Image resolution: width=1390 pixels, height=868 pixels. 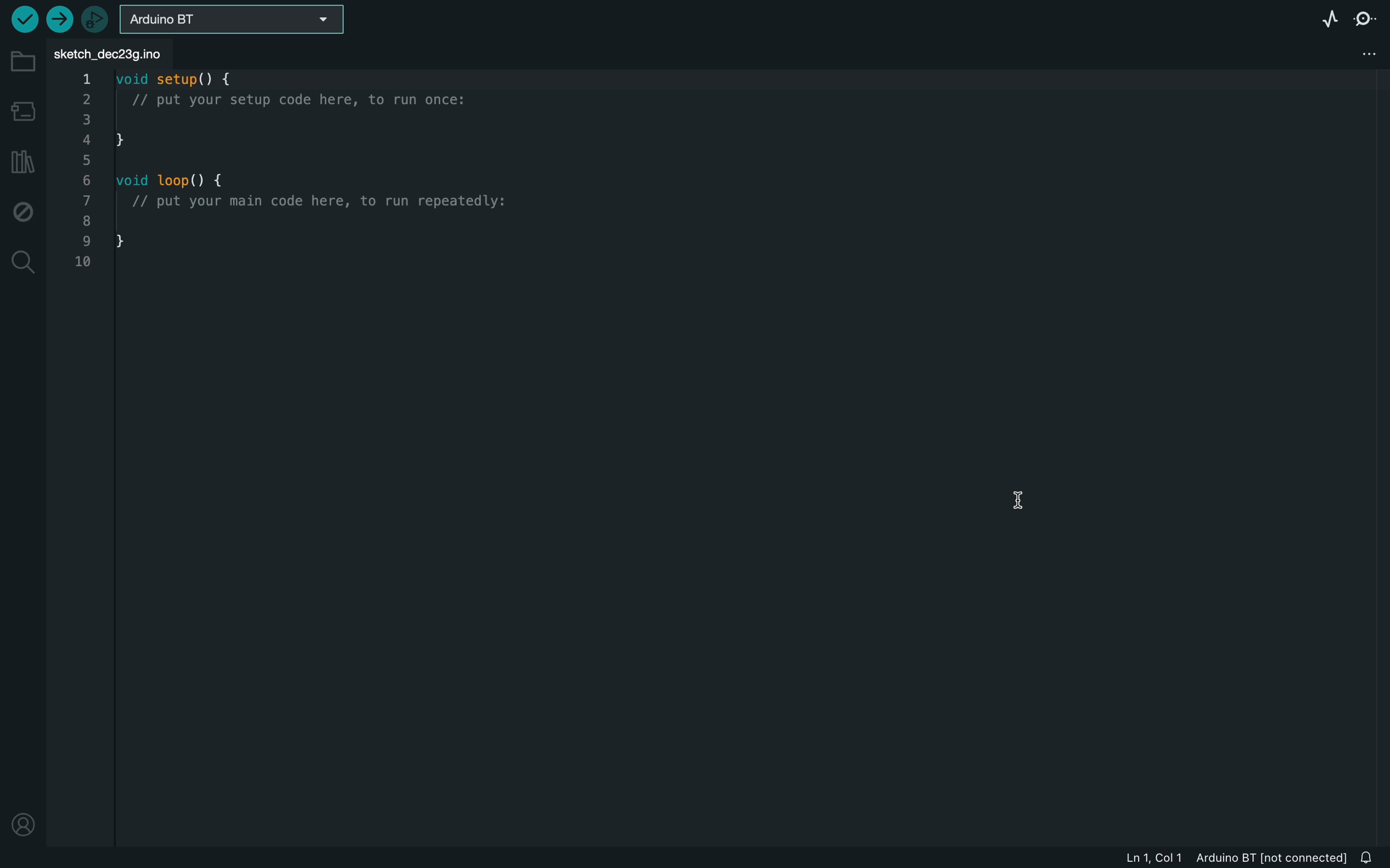 What do you see at coordinates (20, 162) in the screenshot?
I see `library manager` at bounding box center [20, 162].